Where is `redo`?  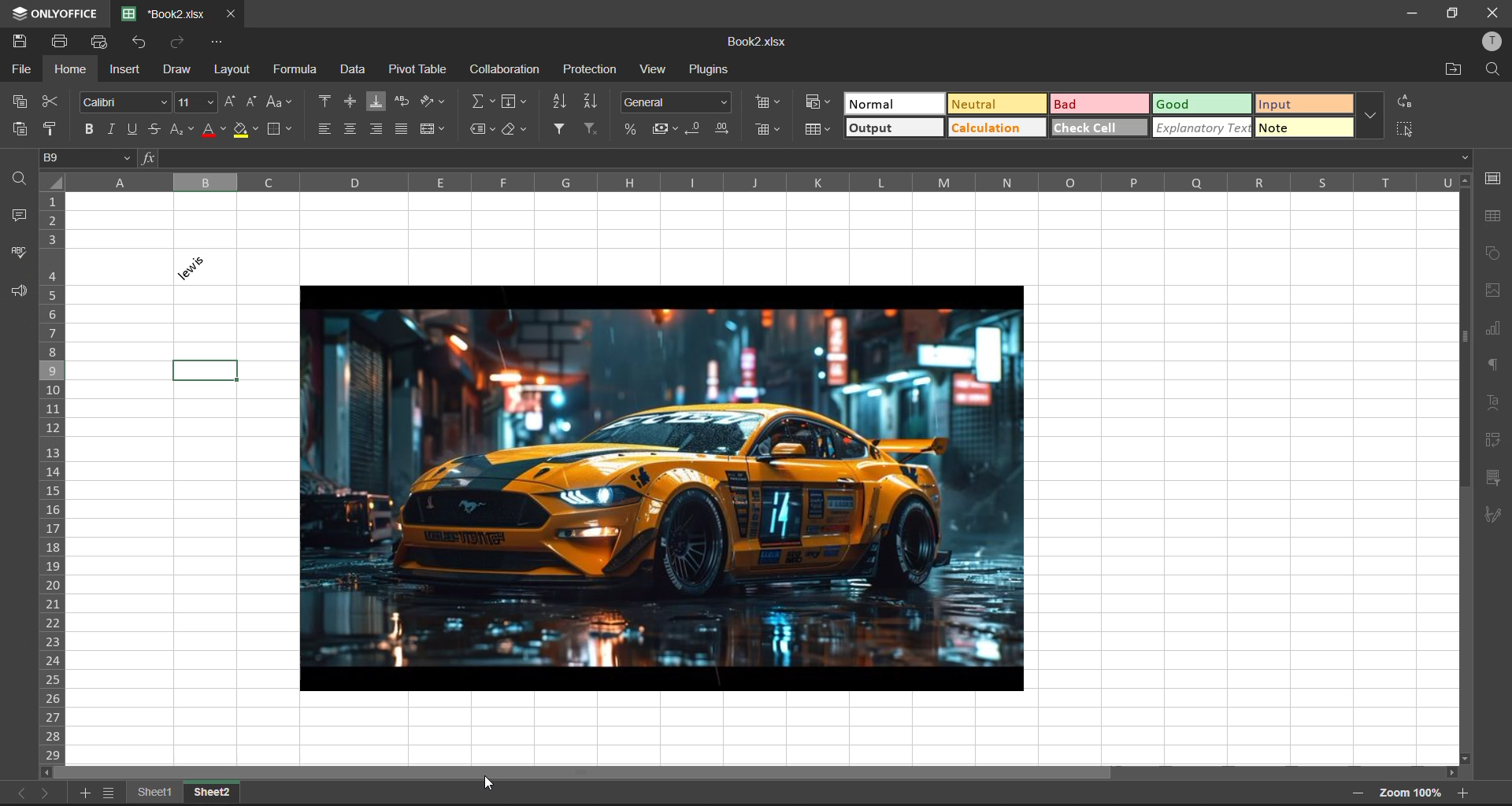
redo is located at coordinates (180, 45).